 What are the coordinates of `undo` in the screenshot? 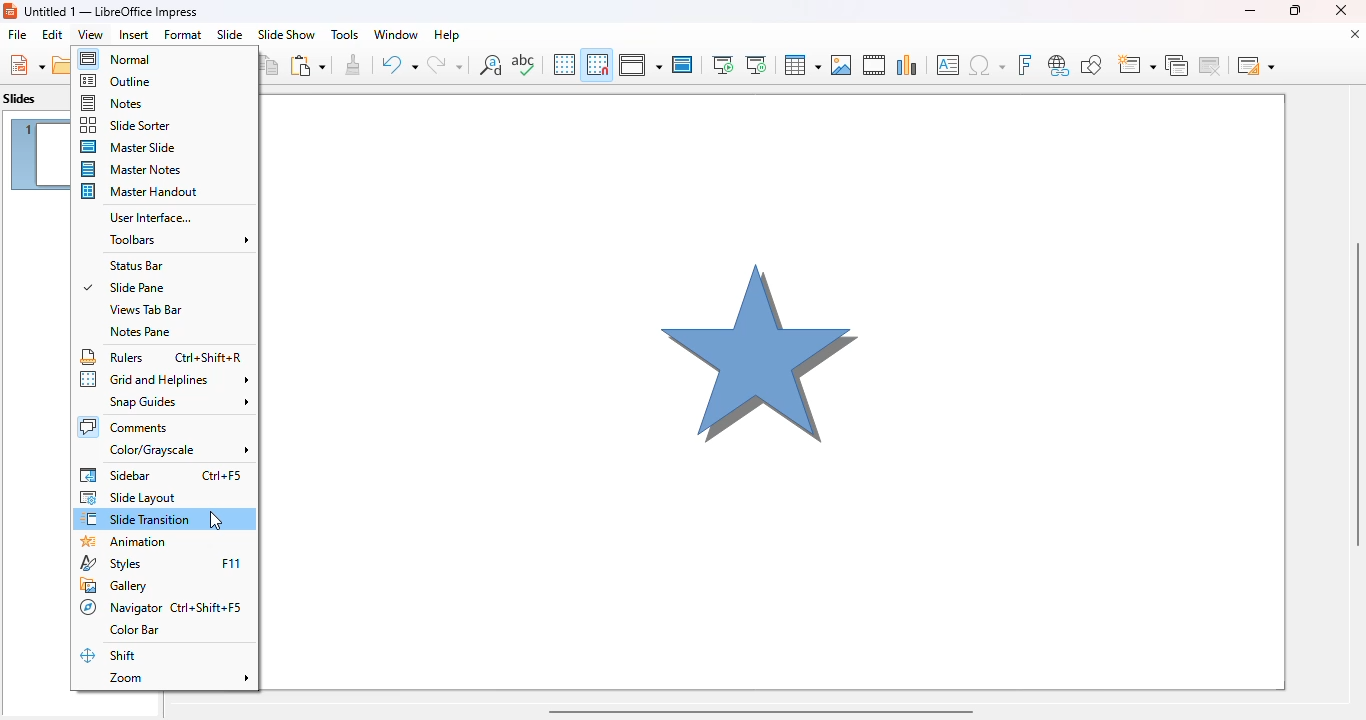 It's located at (398, 65).